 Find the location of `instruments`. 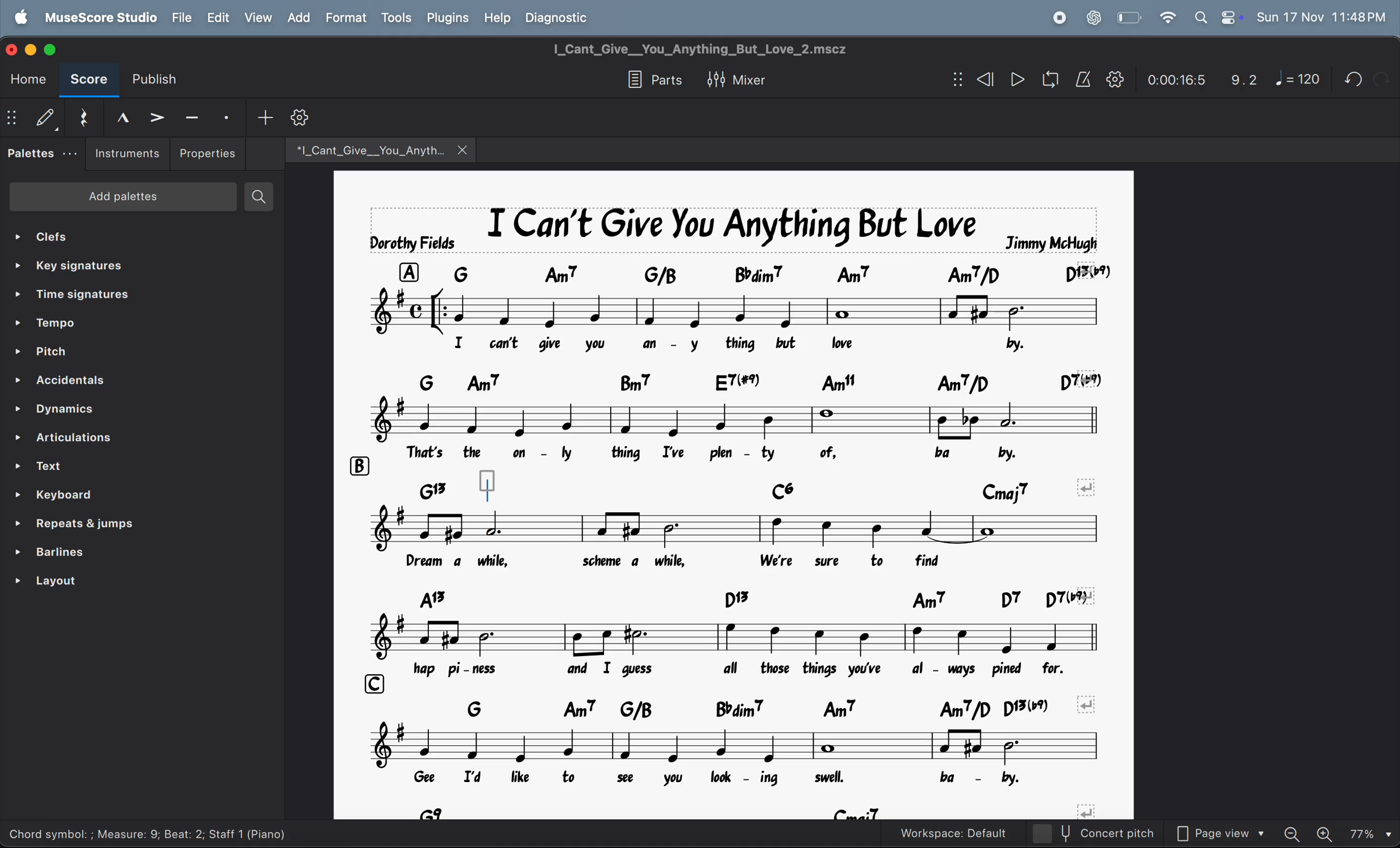

instruments is located at coordinates (128, 154).